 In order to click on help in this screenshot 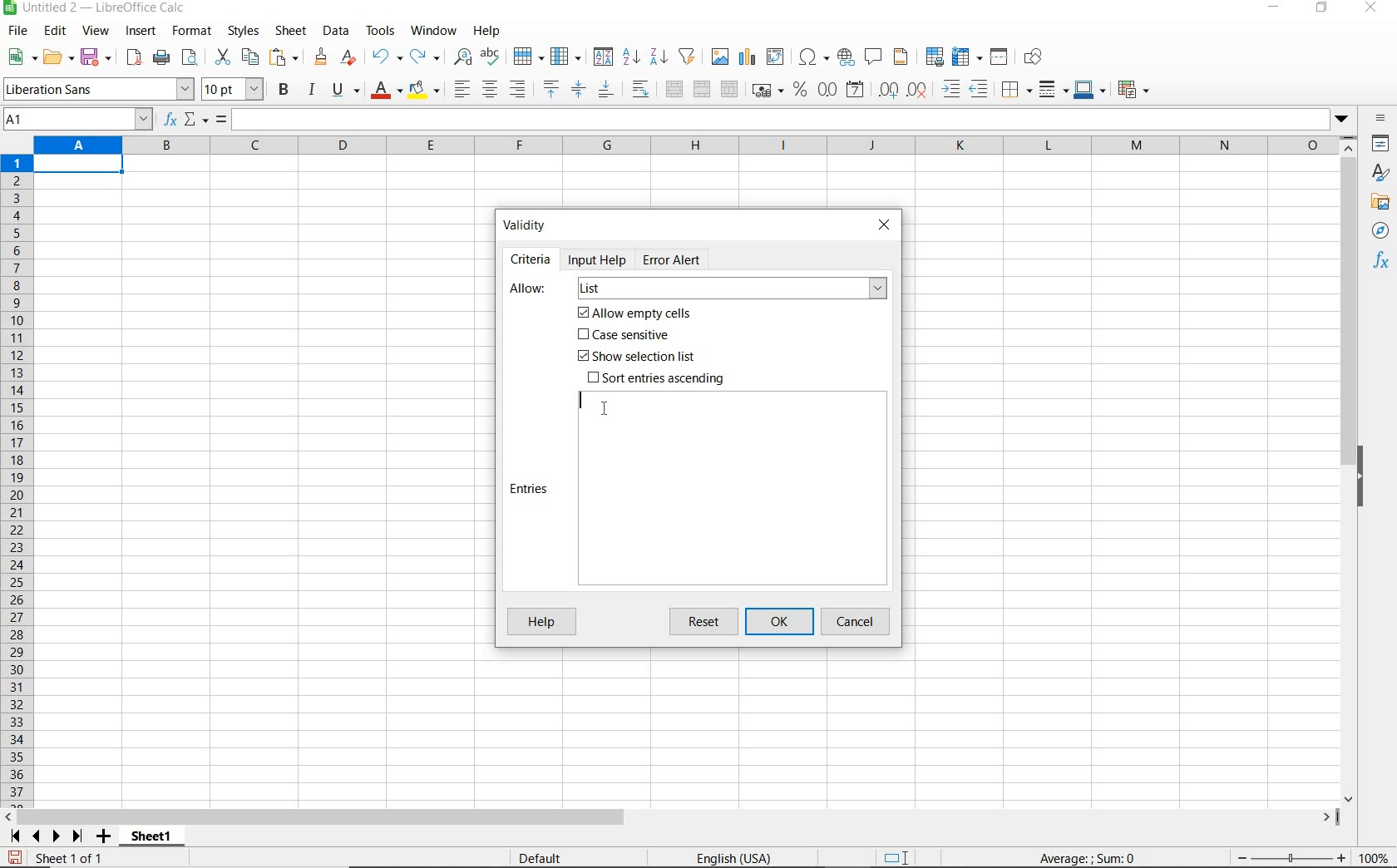, I will do `click(486, 31)`.